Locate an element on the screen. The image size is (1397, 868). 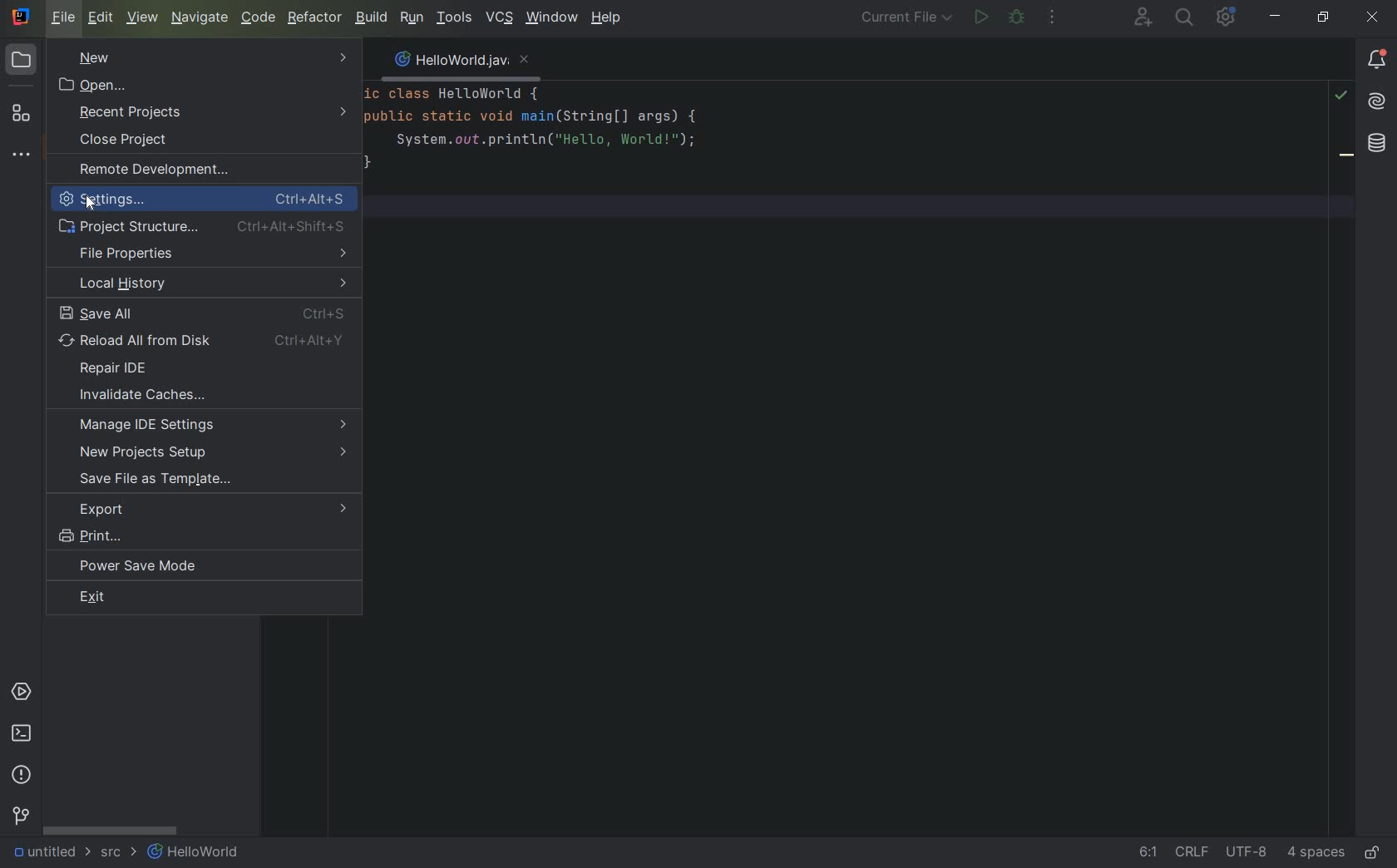
notifications is located at coordinates (1376, 62).